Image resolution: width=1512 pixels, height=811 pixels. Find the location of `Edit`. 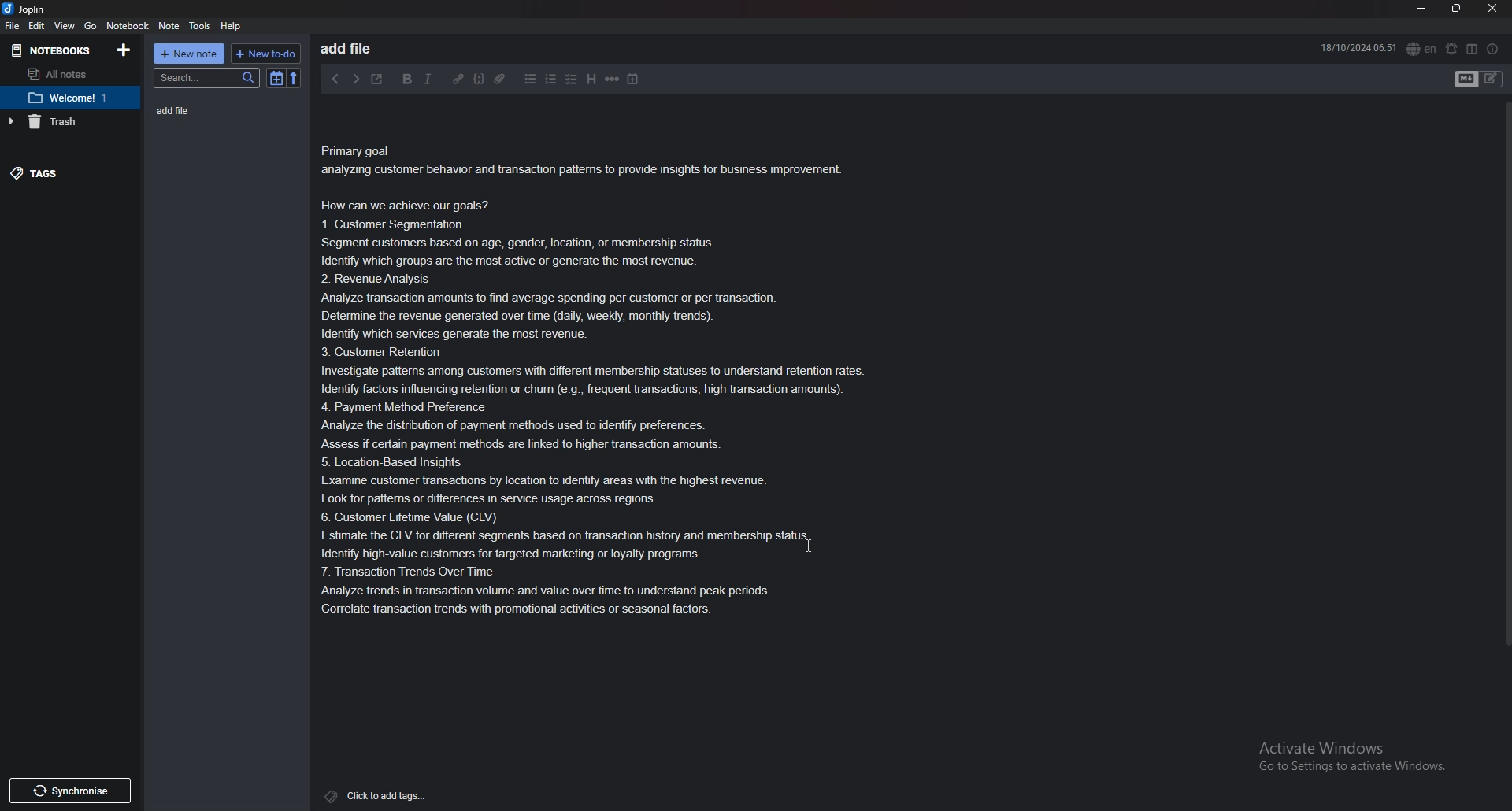

Edit is located at coordinates (37, 26).